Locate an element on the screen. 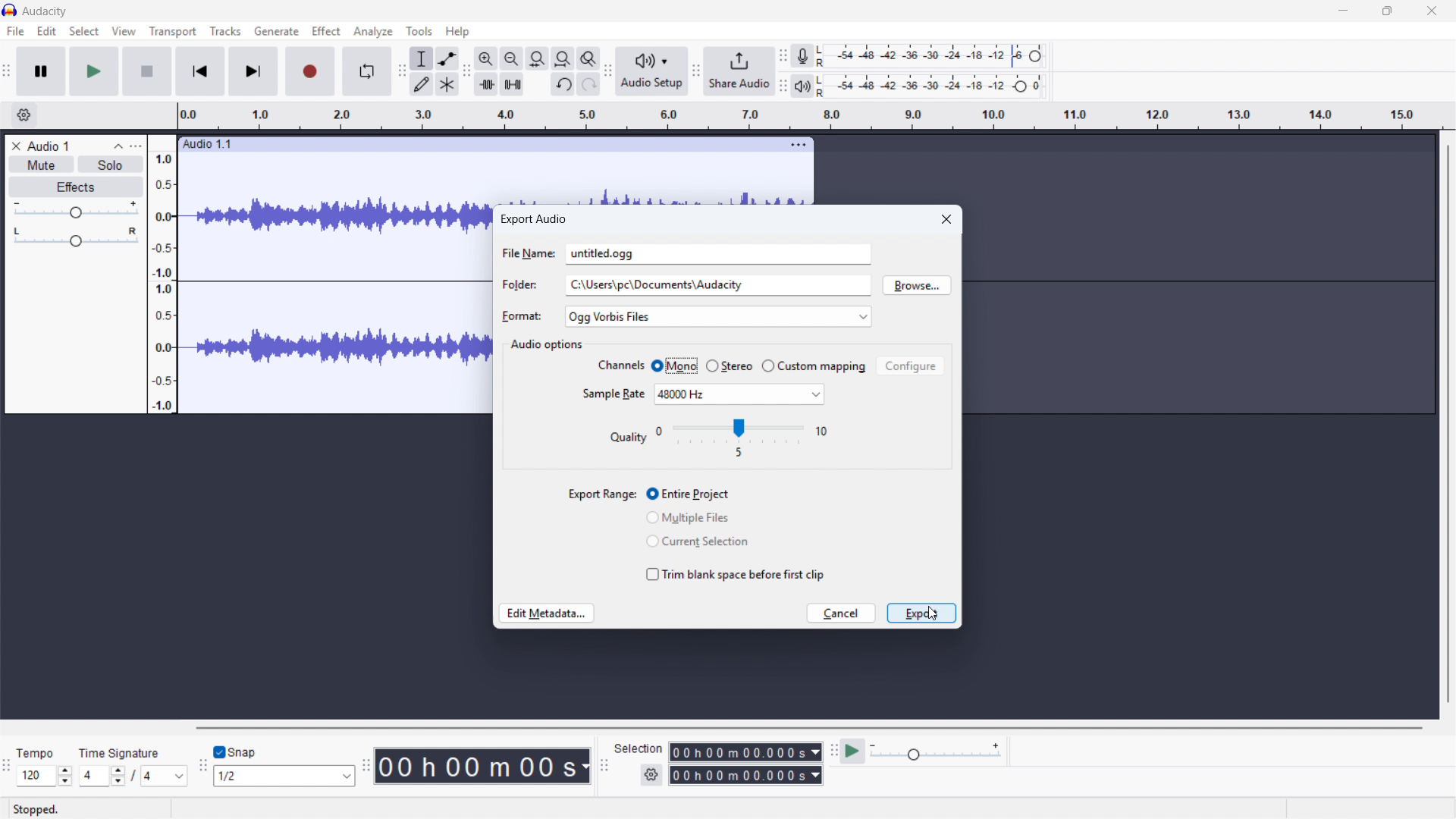 The width and height of the screenshot is (1456, 819). 5 is located at coordinates (736, 453).